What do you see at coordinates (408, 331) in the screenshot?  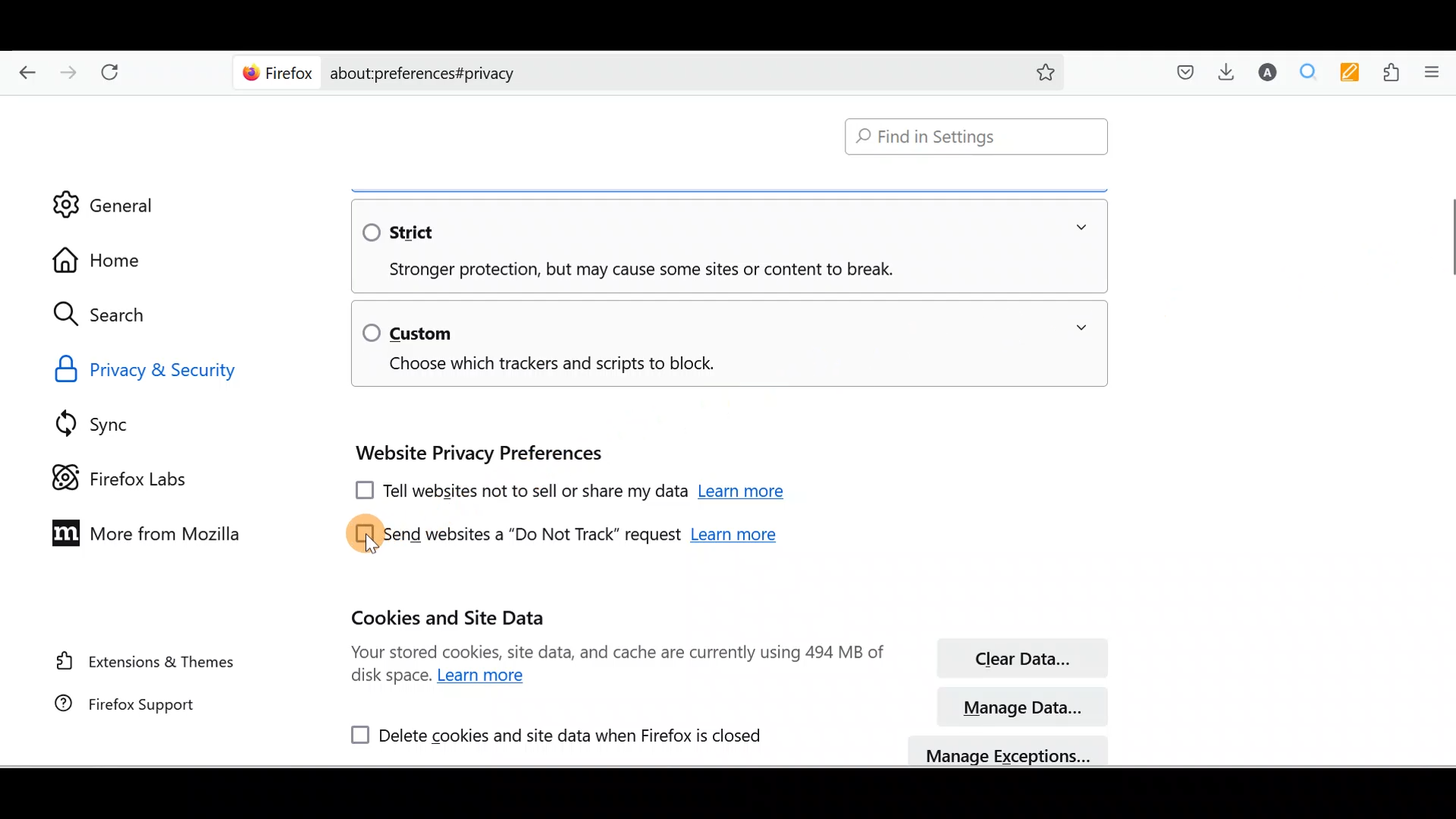 I see `Custom ` at bounding box center [408, 331].